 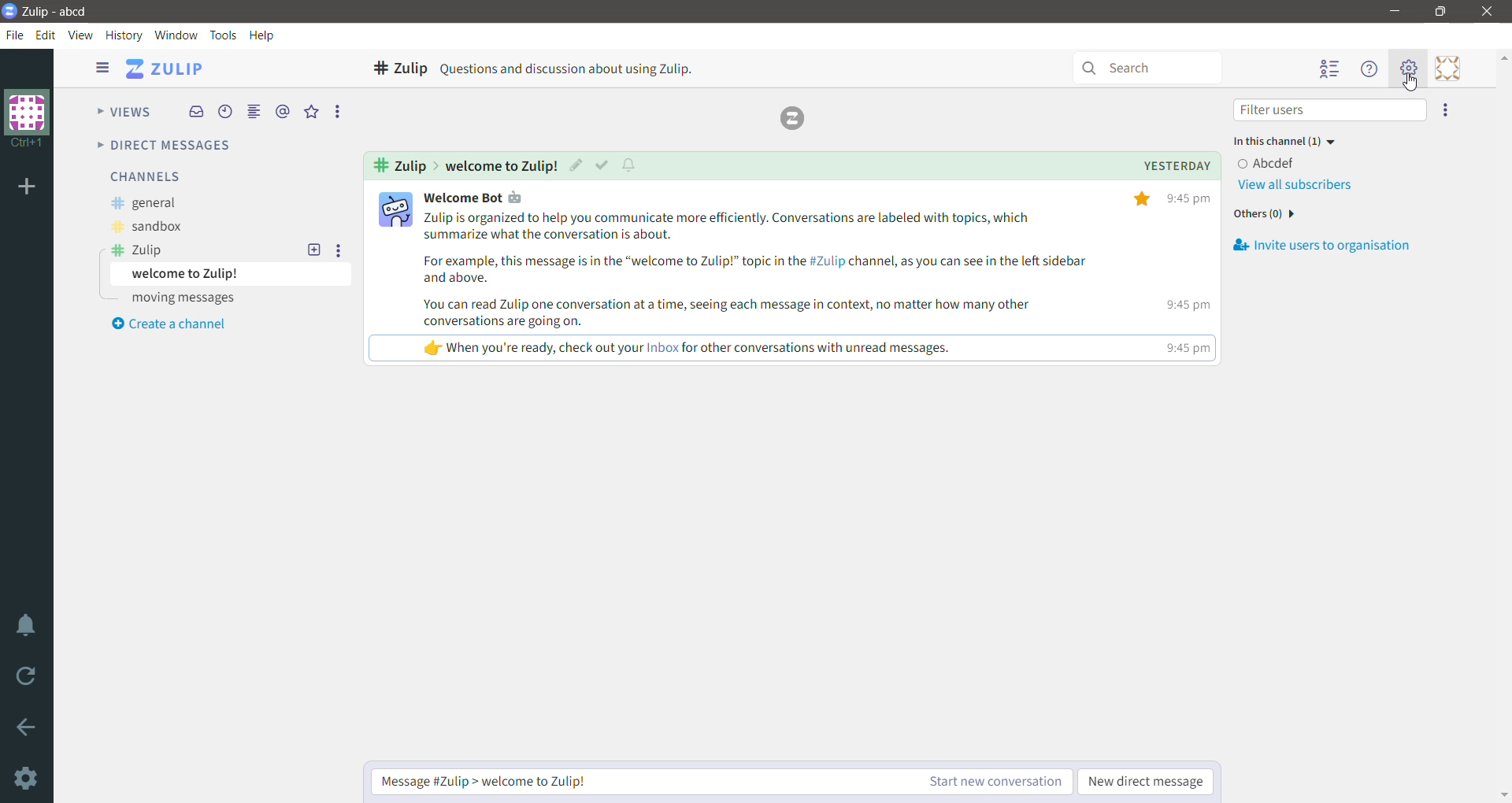 I want to click on More, so click(x=341, y=112).